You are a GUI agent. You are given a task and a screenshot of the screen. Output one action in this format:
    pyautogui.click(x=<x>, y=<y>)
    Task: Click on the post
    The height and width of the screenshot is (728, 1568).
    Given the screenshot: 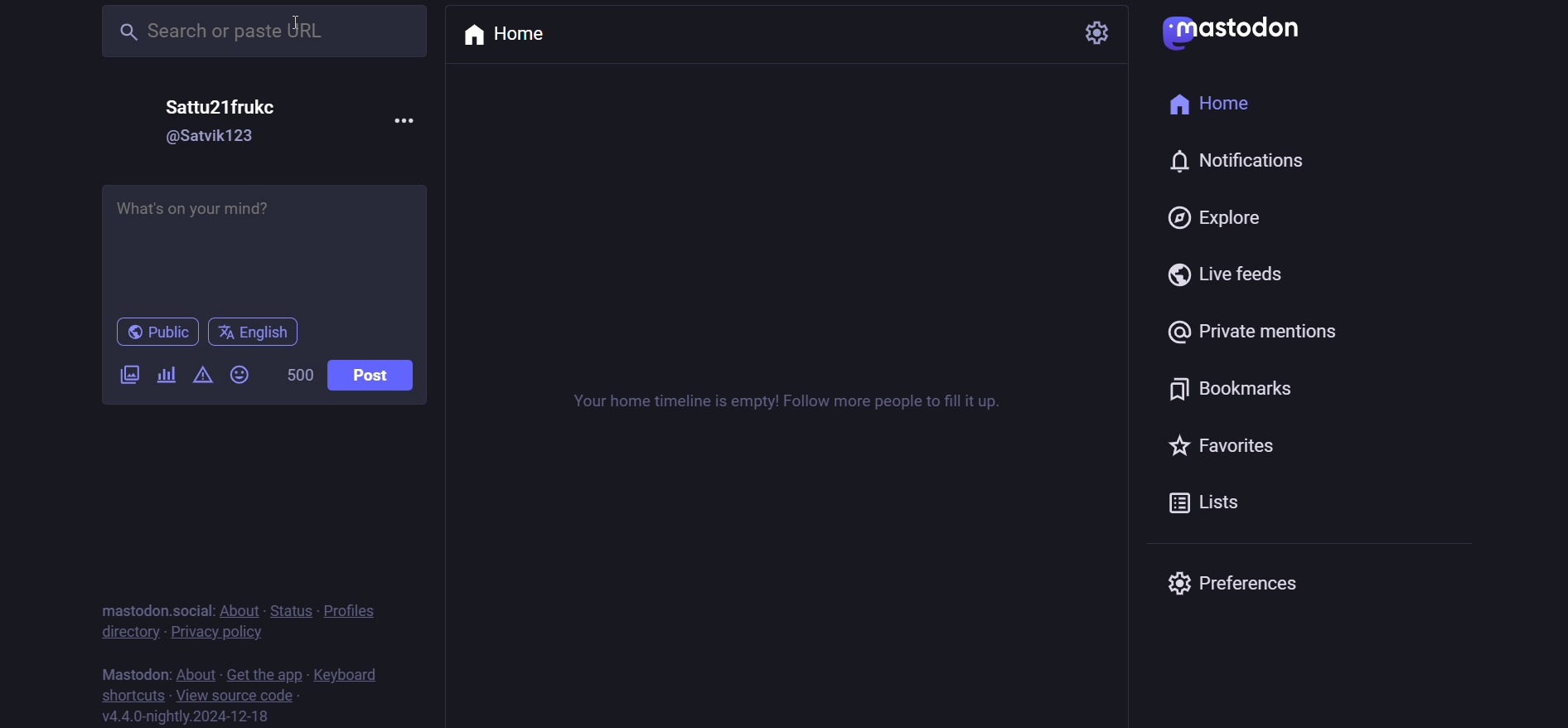 What is the action you would take?
    pyautogui.click(x=371, y=377)
    